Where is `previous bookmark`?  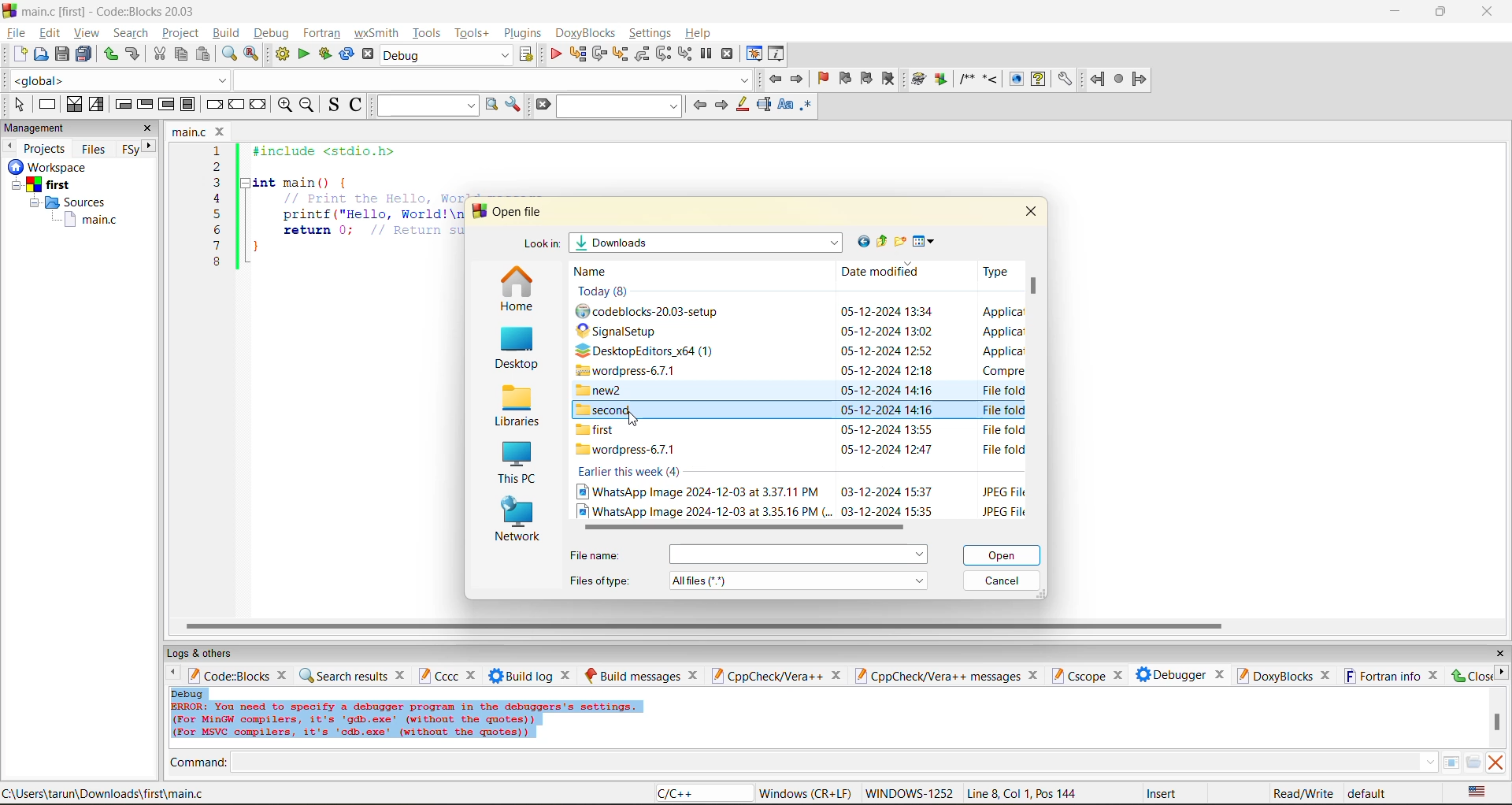 previous bookmark is located at coordinates (845, 78).